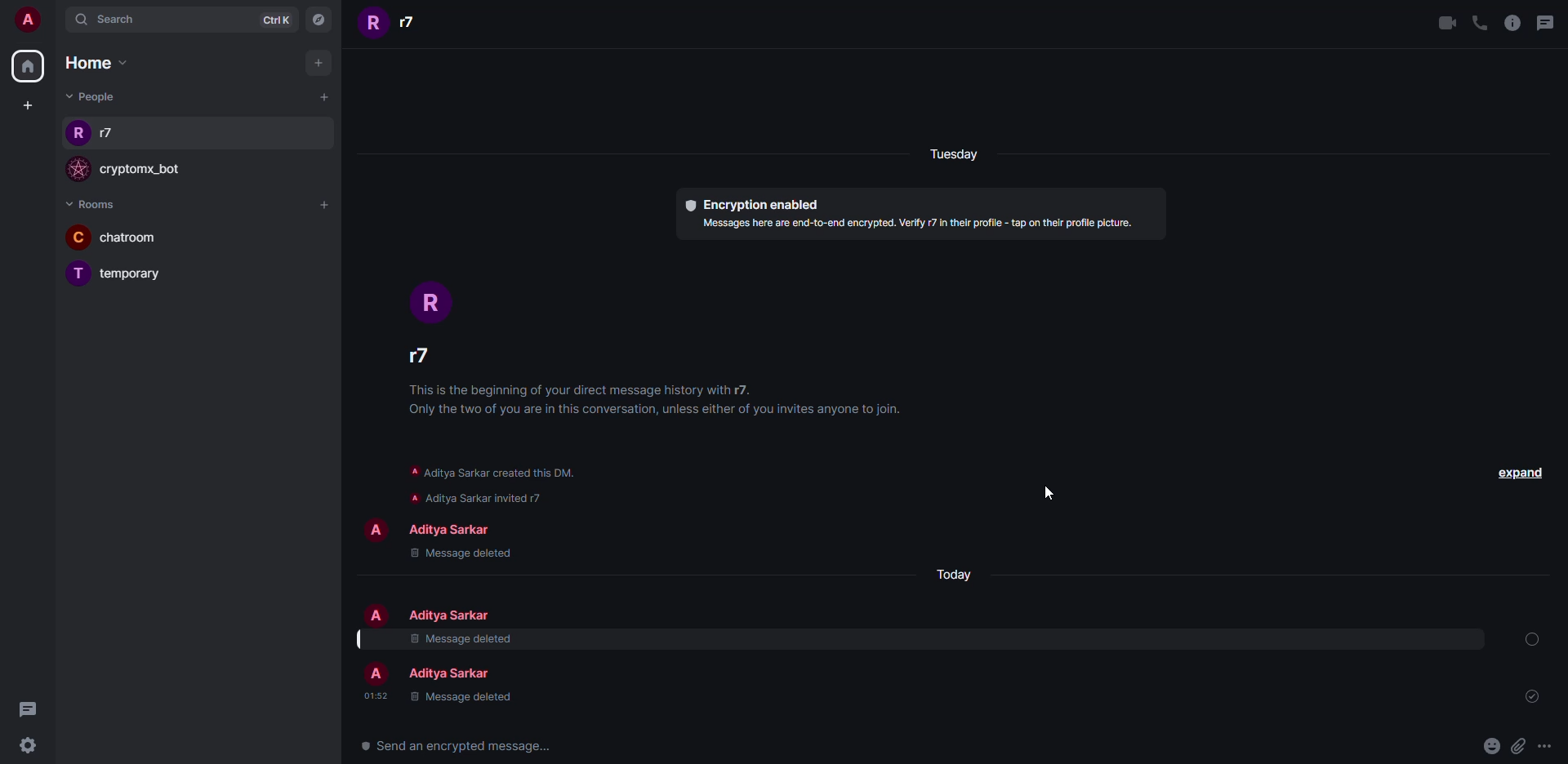  Describe the element at coordinates (451, 528) in the screenshot. I see `people` at that location.